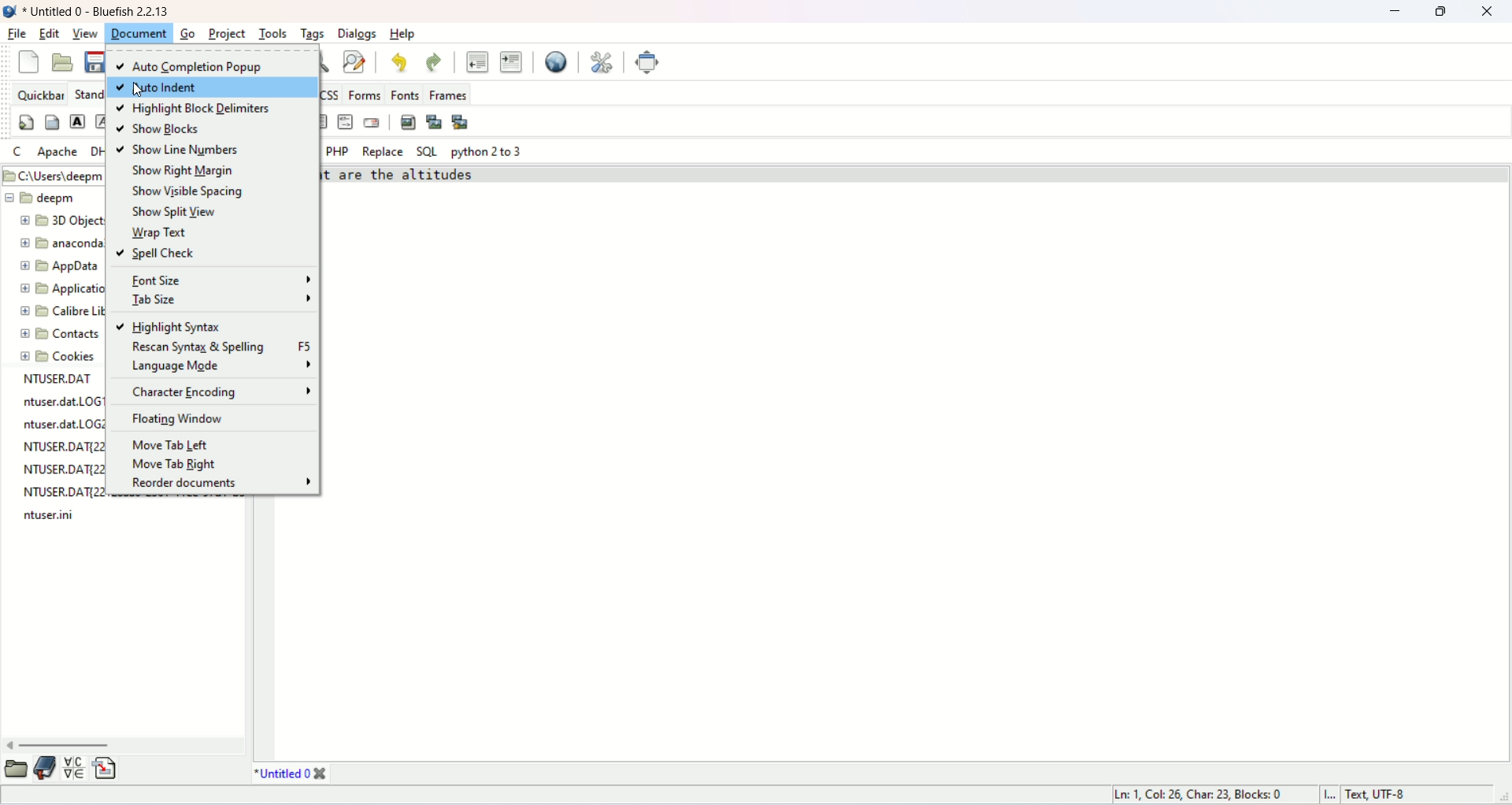 Image resolution: width=1512 pixels, height=805 pixels. Describe the element at coordinates (41, 197) in the screenshot. I see `deepm` at that location.